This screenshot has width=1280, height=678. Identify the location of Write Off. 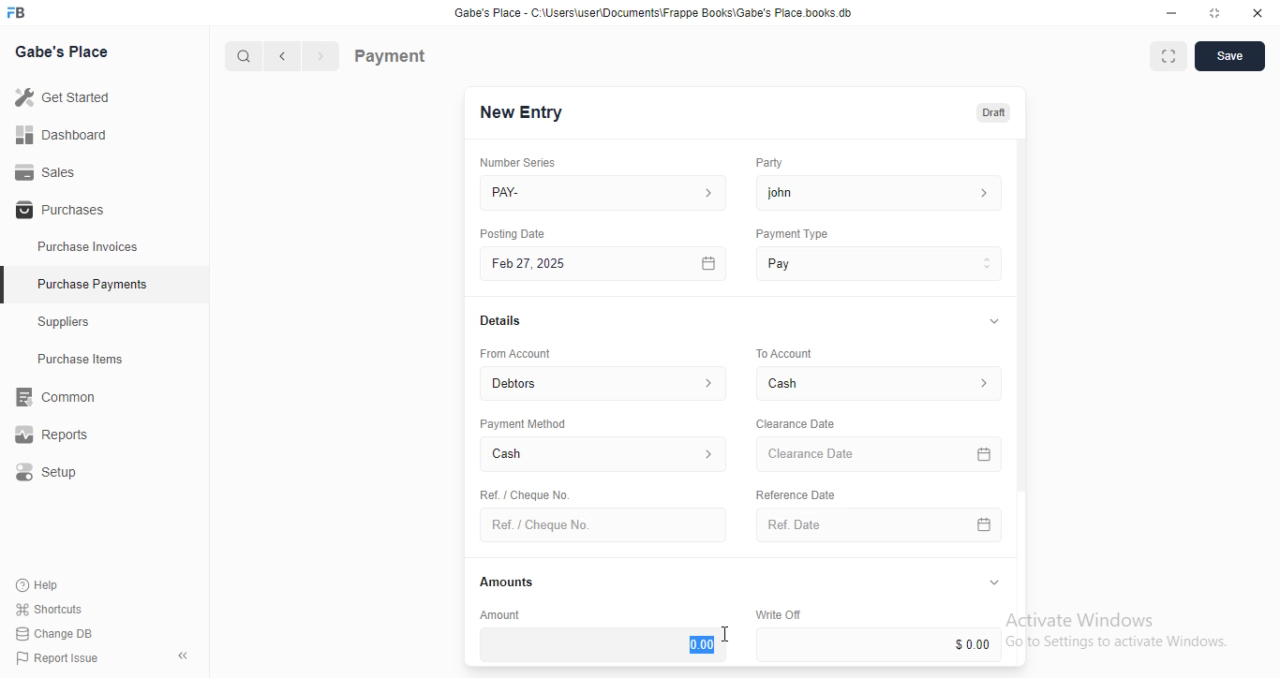
(776, 614).